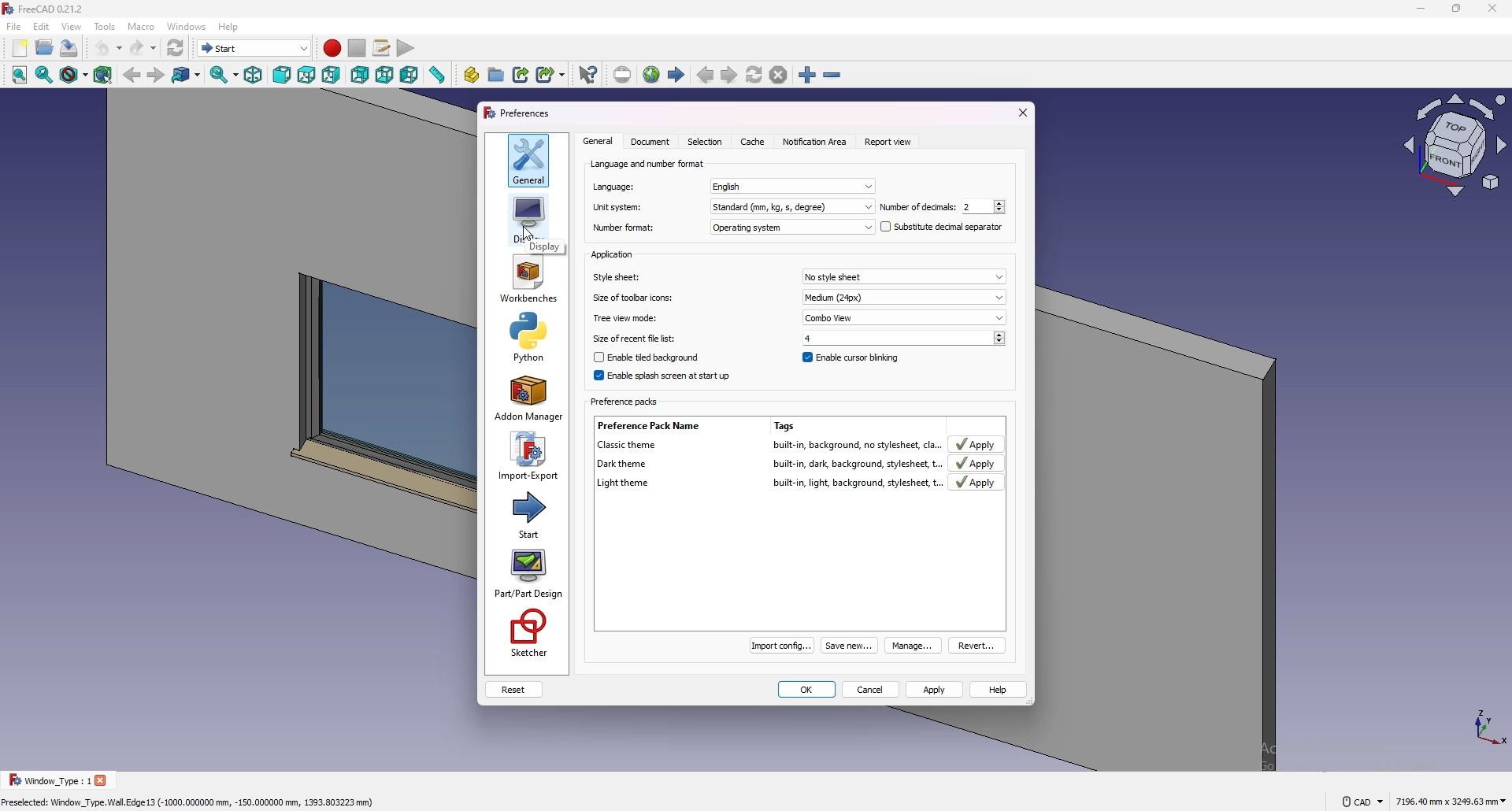 This screenshot has height=811, width=1512. I want to click on view, so click(1456, 148).